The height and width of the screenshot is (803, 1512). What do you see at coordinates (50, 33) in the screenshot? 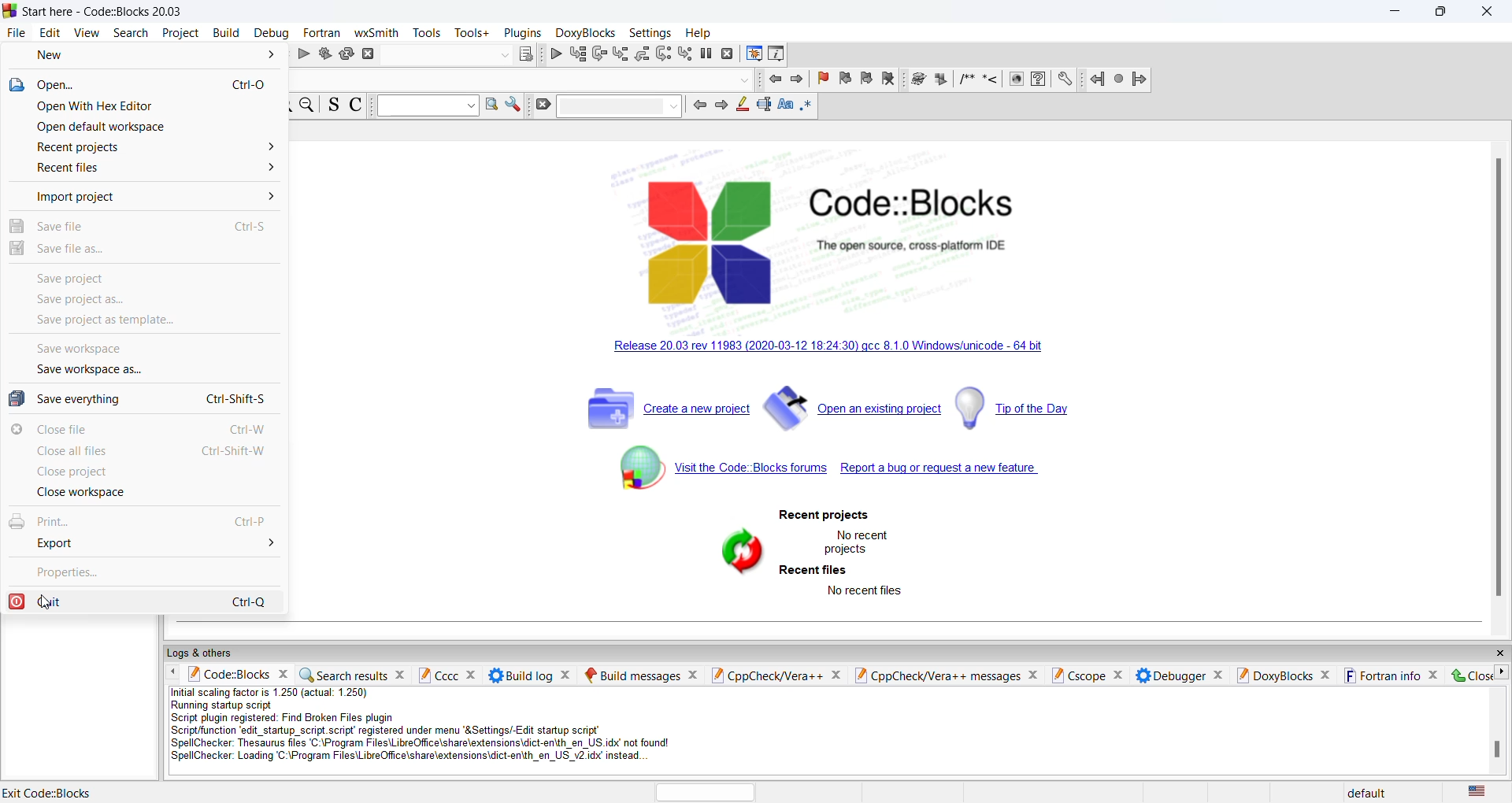
I see `edit` at bounding box center [50, 33].